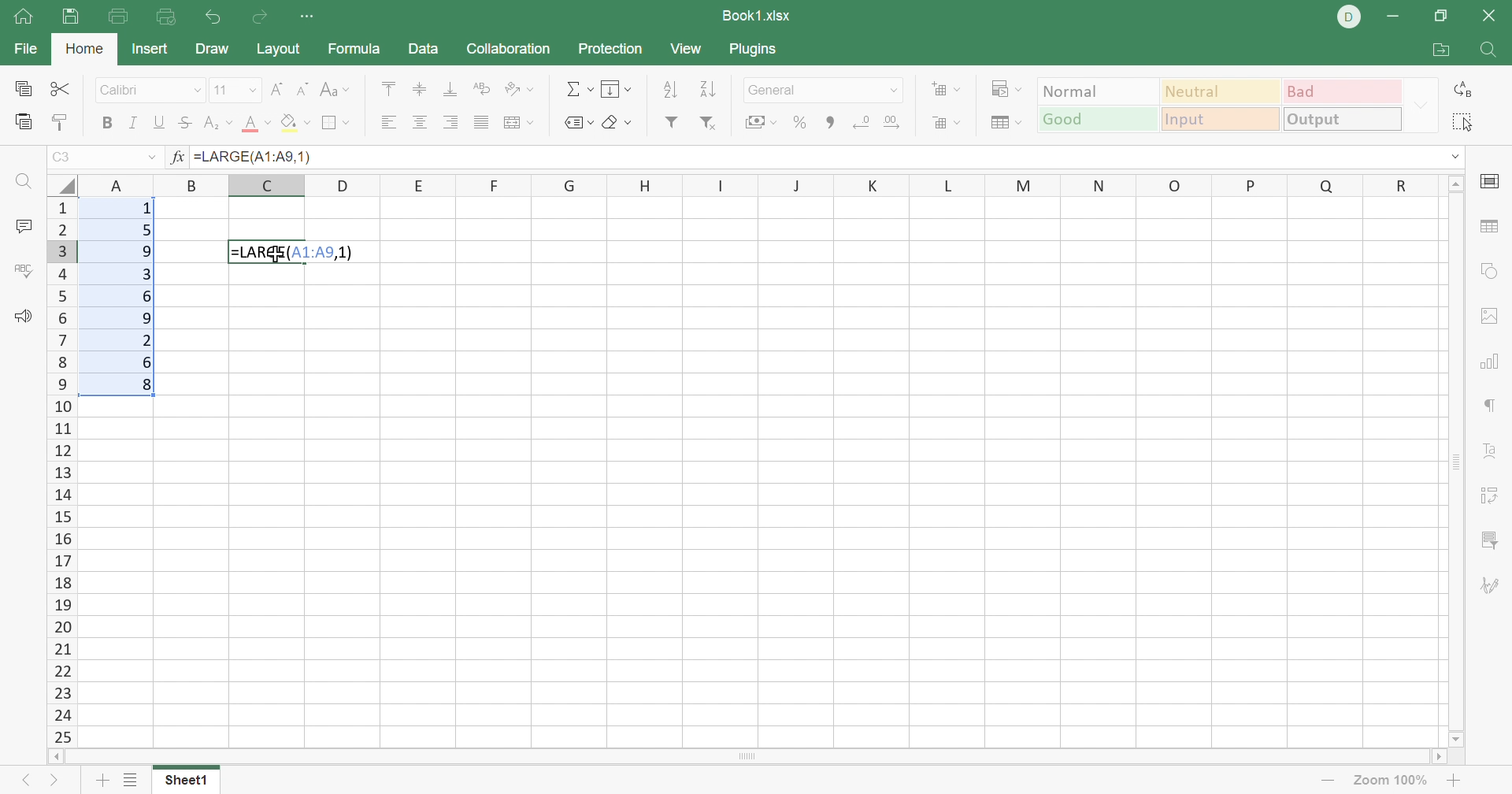 The image size is (1512, 794). Describe the element at coordinates (706, 121) in the screenshot. I see `Remove filter` at that location.